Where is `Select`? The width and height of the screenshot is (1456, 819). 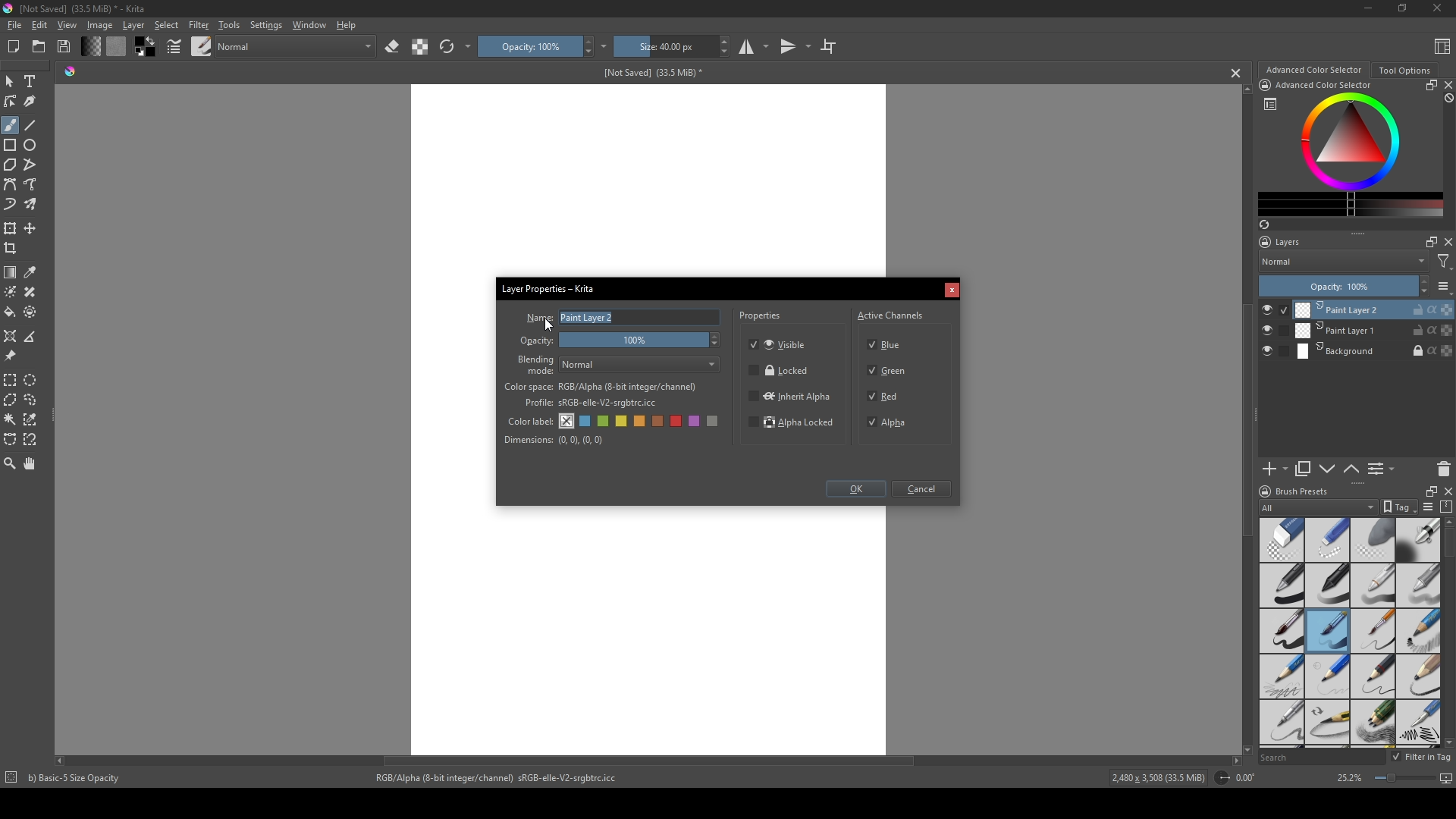 Select is located at coordinates (167, 25).